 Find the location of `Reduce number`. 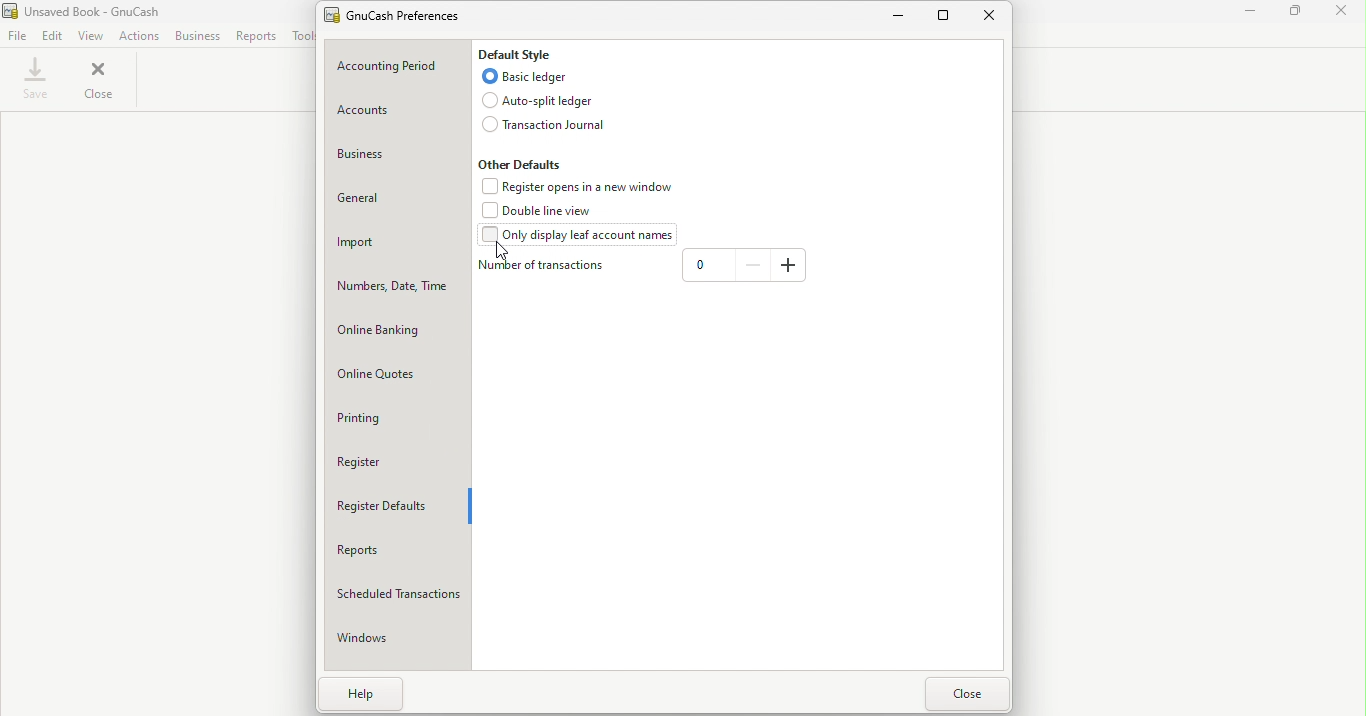

Reduce number is located at coordinates (753, 265).